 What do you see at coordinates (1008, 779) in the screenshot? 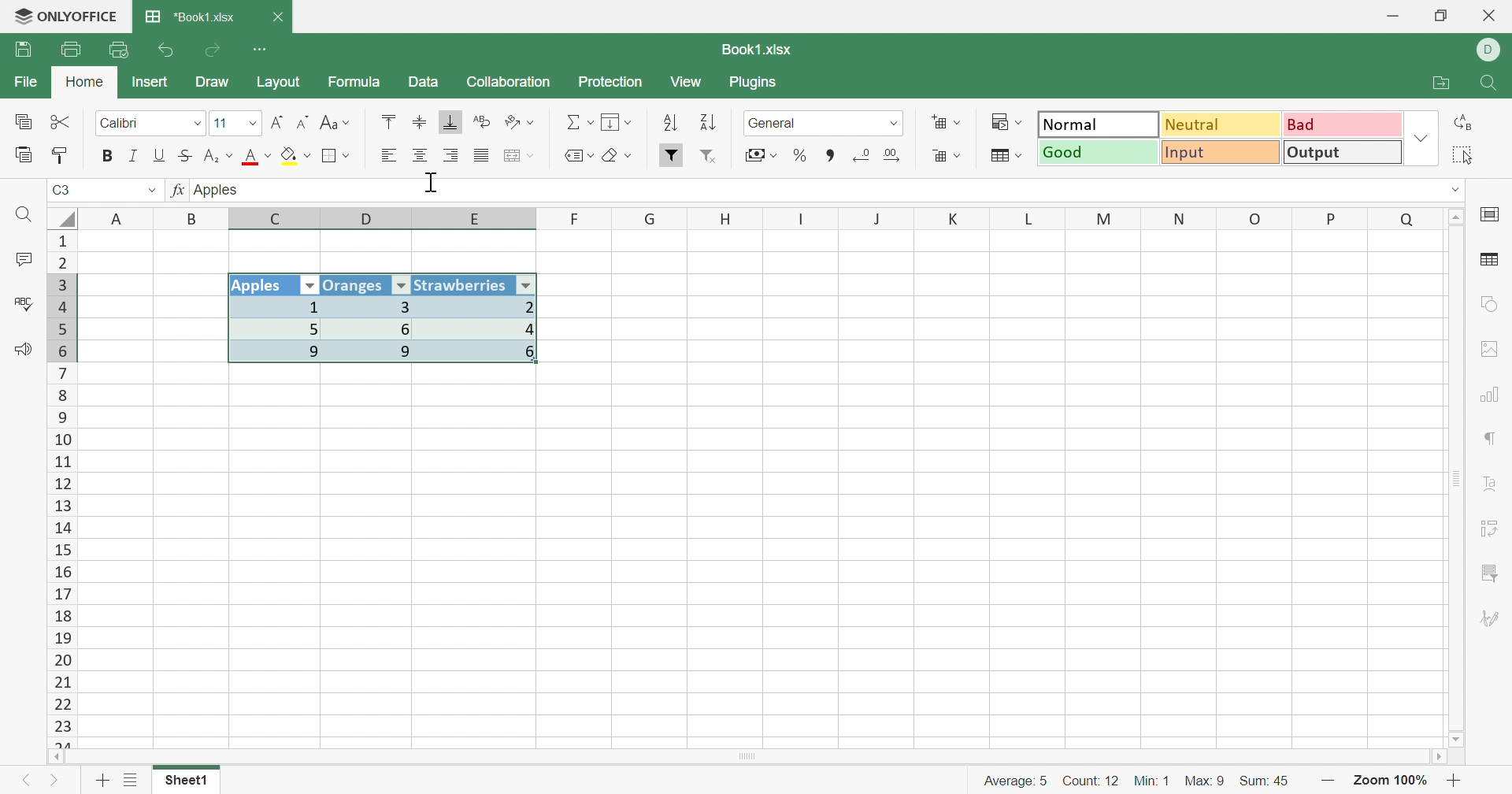
I see `Average: 5` at bounding box center [1008, 779].